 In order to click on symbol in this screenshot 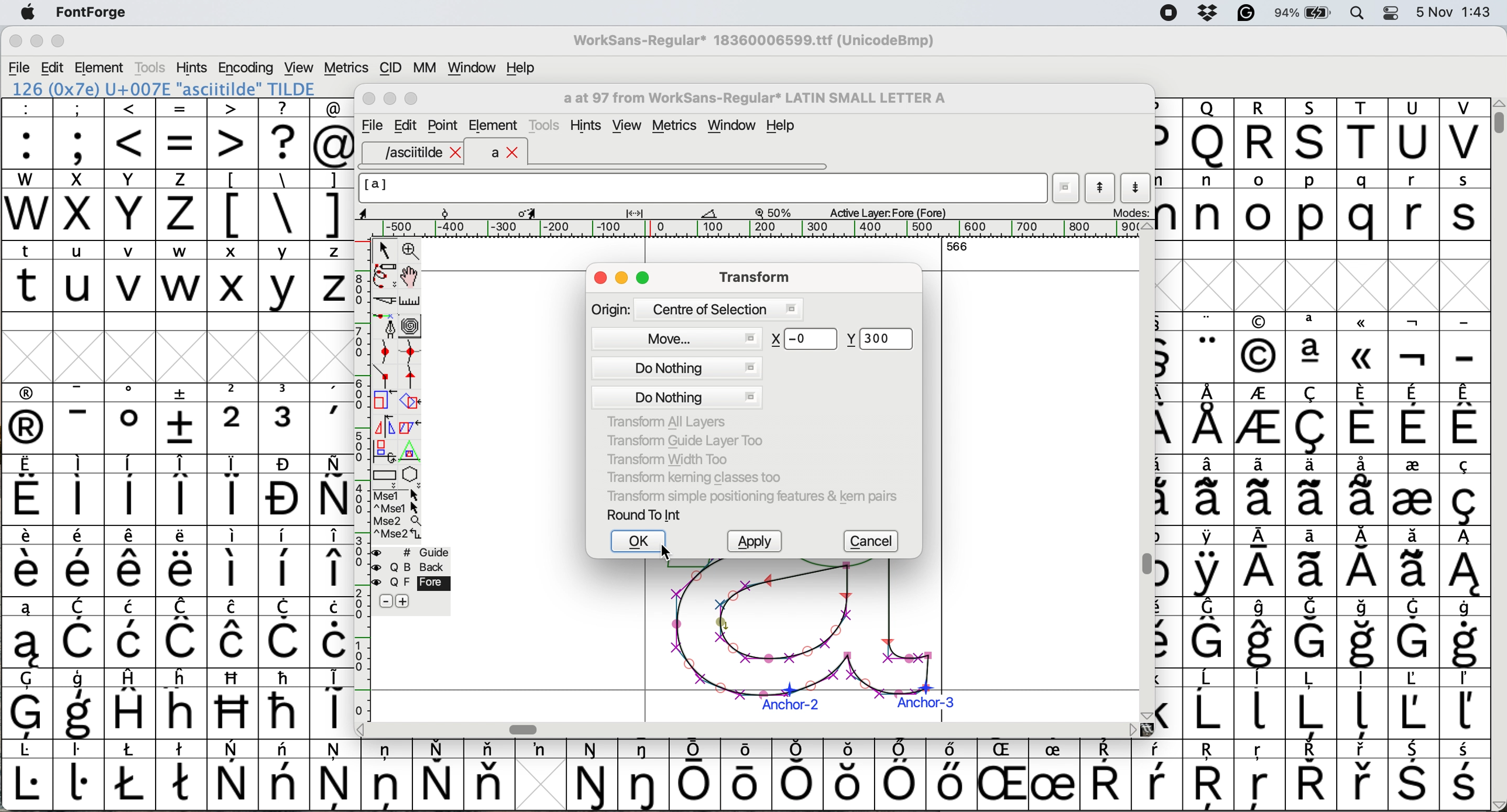, I will do `click(1261, 421)`.